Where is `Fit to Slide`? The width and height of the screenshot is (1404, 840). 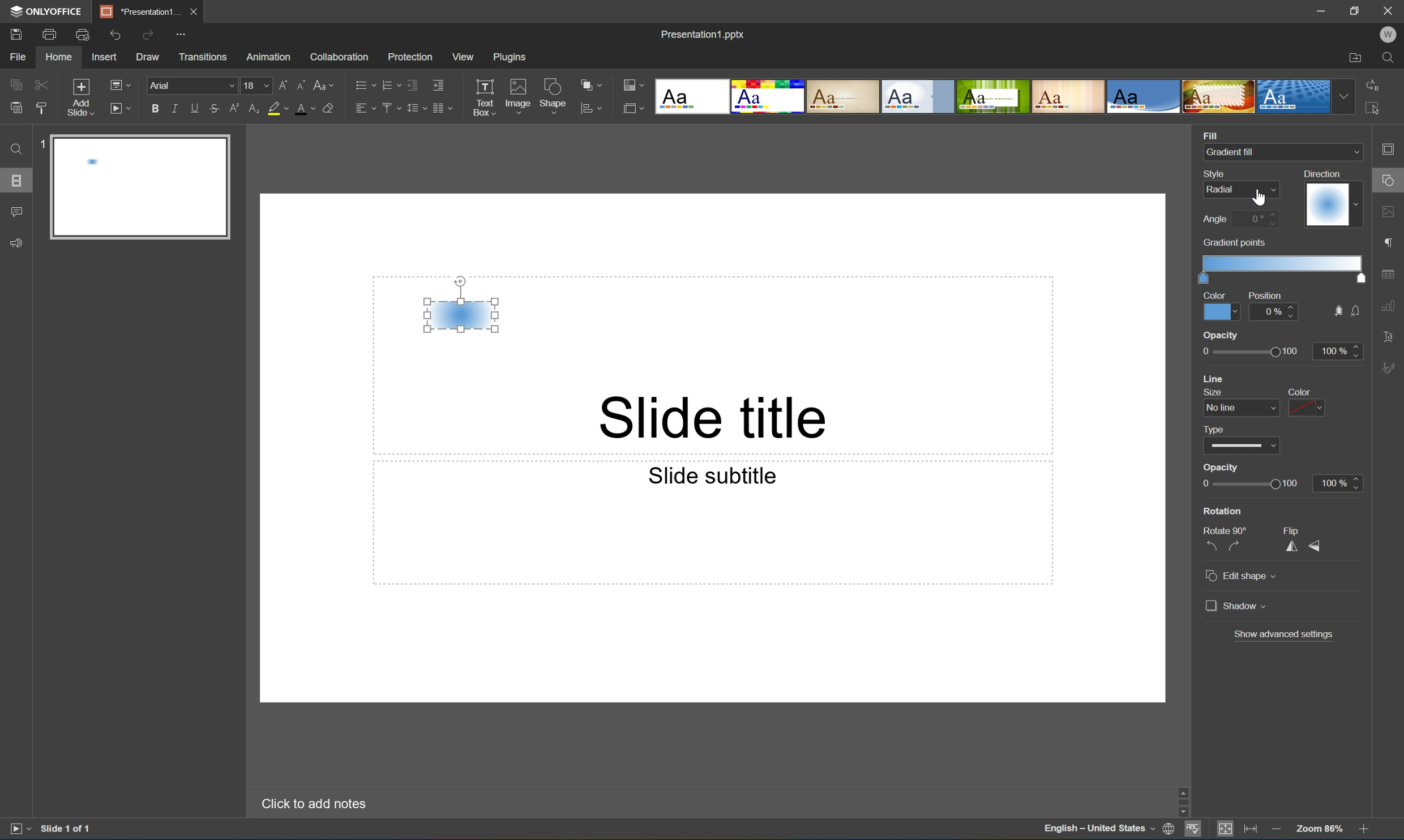 Fit to Slide is located at coordinates (1228, 829).